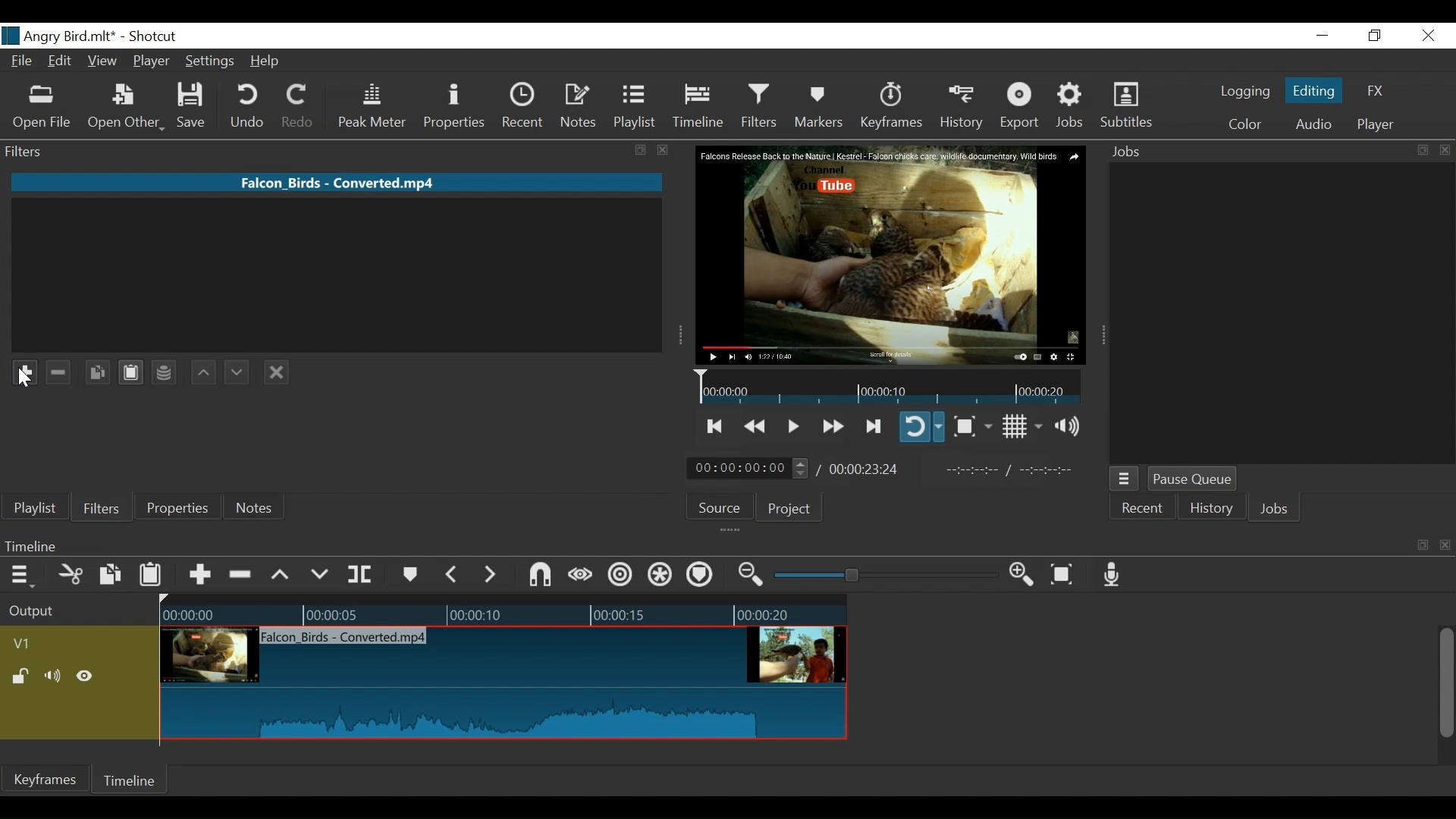 The height and width of the screenshot is (819, 1456). What do you see at coordinates (270, 61) in the screenshot?
I see `Help` at bounding box center [270, 61].